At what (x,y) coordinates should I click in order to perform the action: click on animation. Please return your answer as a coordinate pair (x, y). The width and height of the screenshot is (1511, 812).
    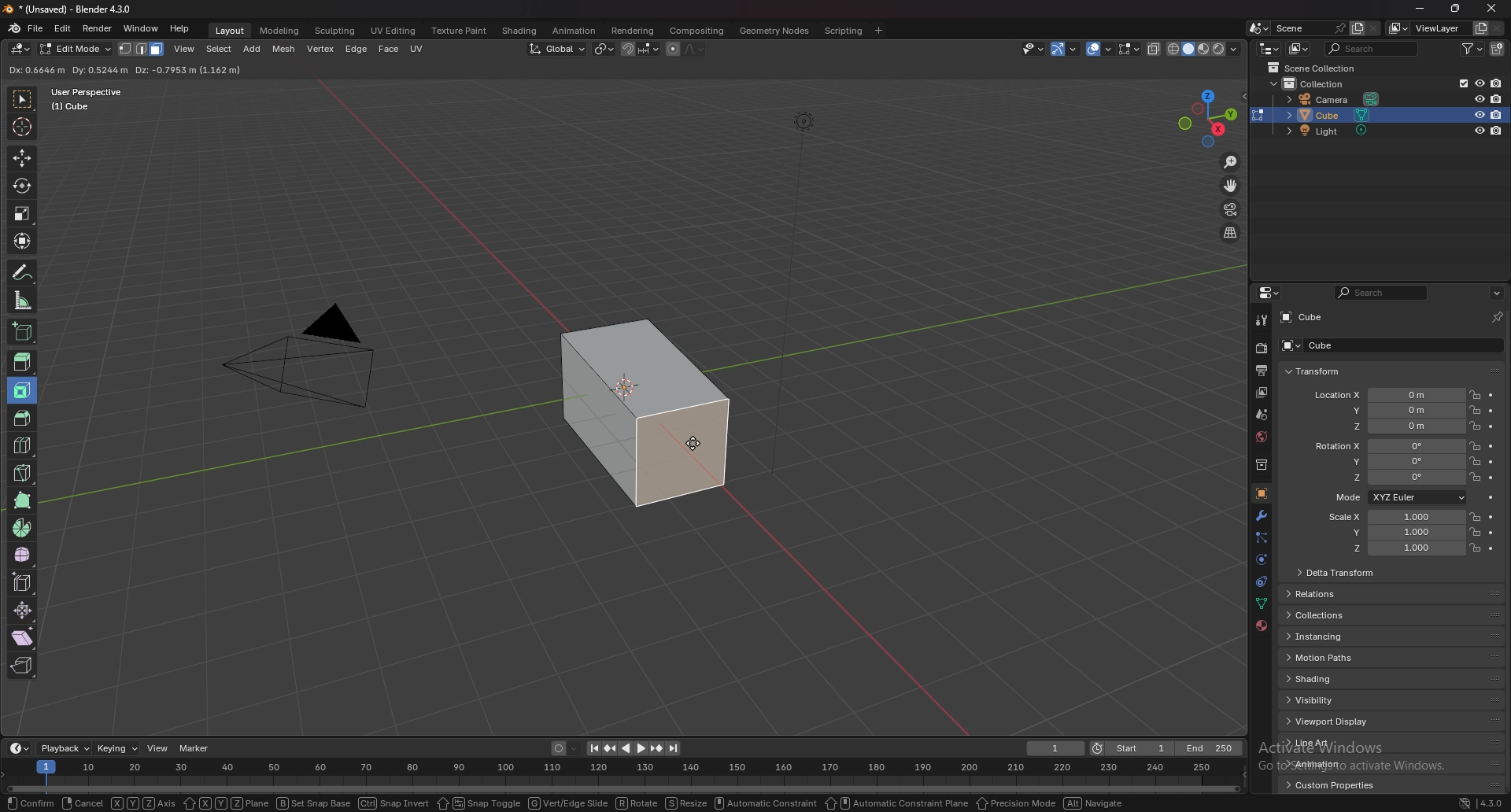
    Looking at the image, I should click on (1331, 763).